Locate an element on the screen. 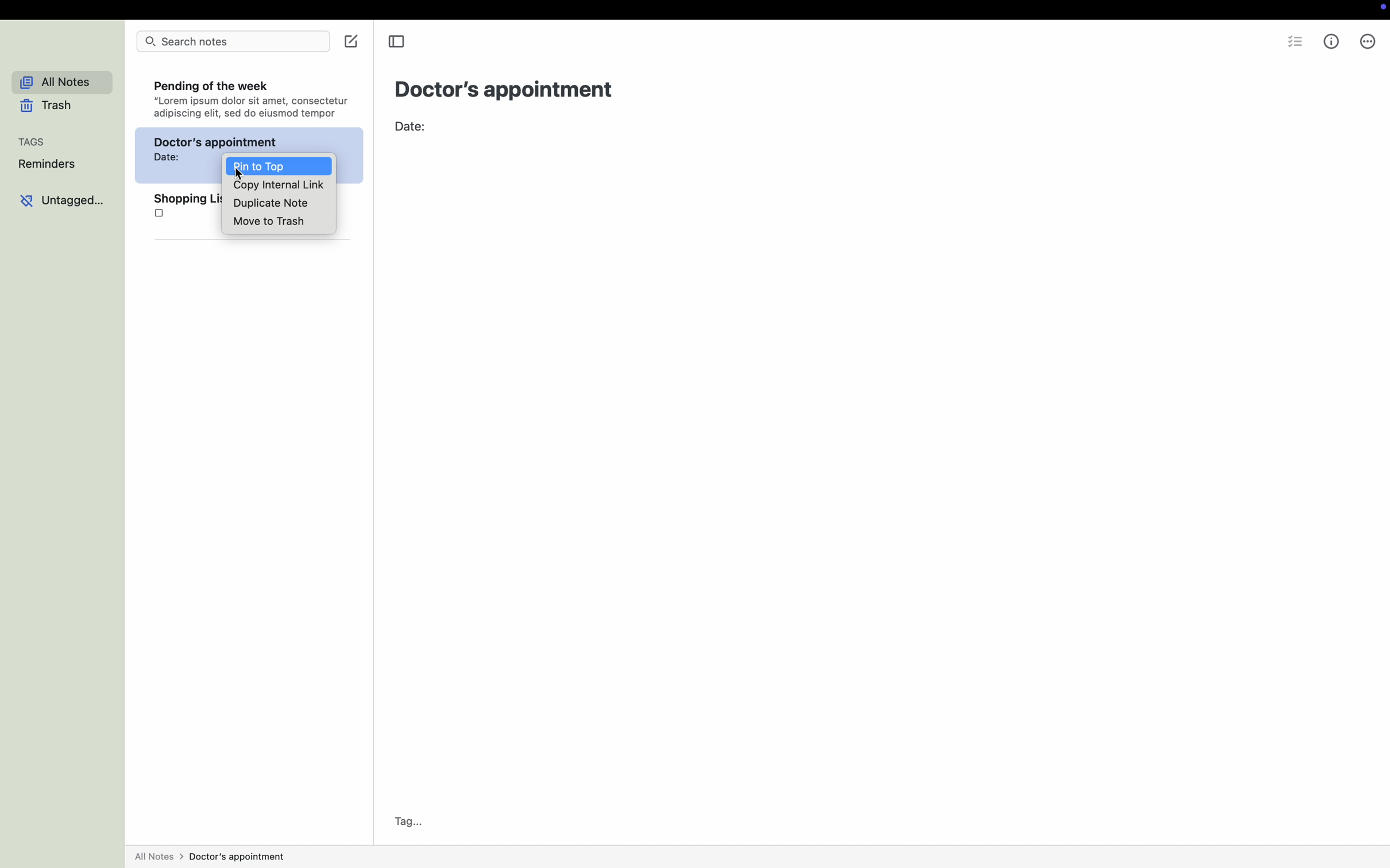  reminders is located at coordinates (46, 165).